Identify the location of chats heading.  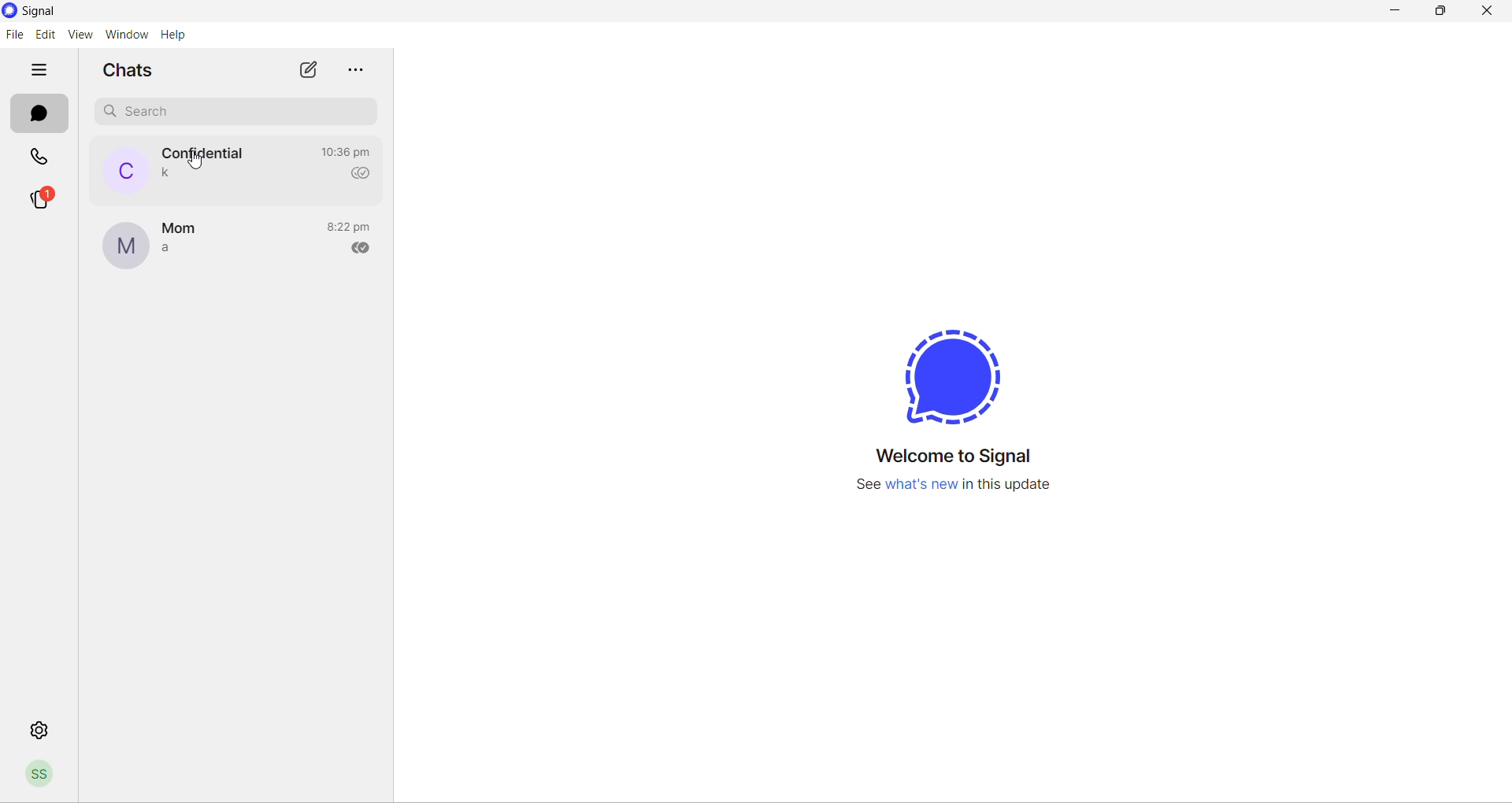
(135, 73).